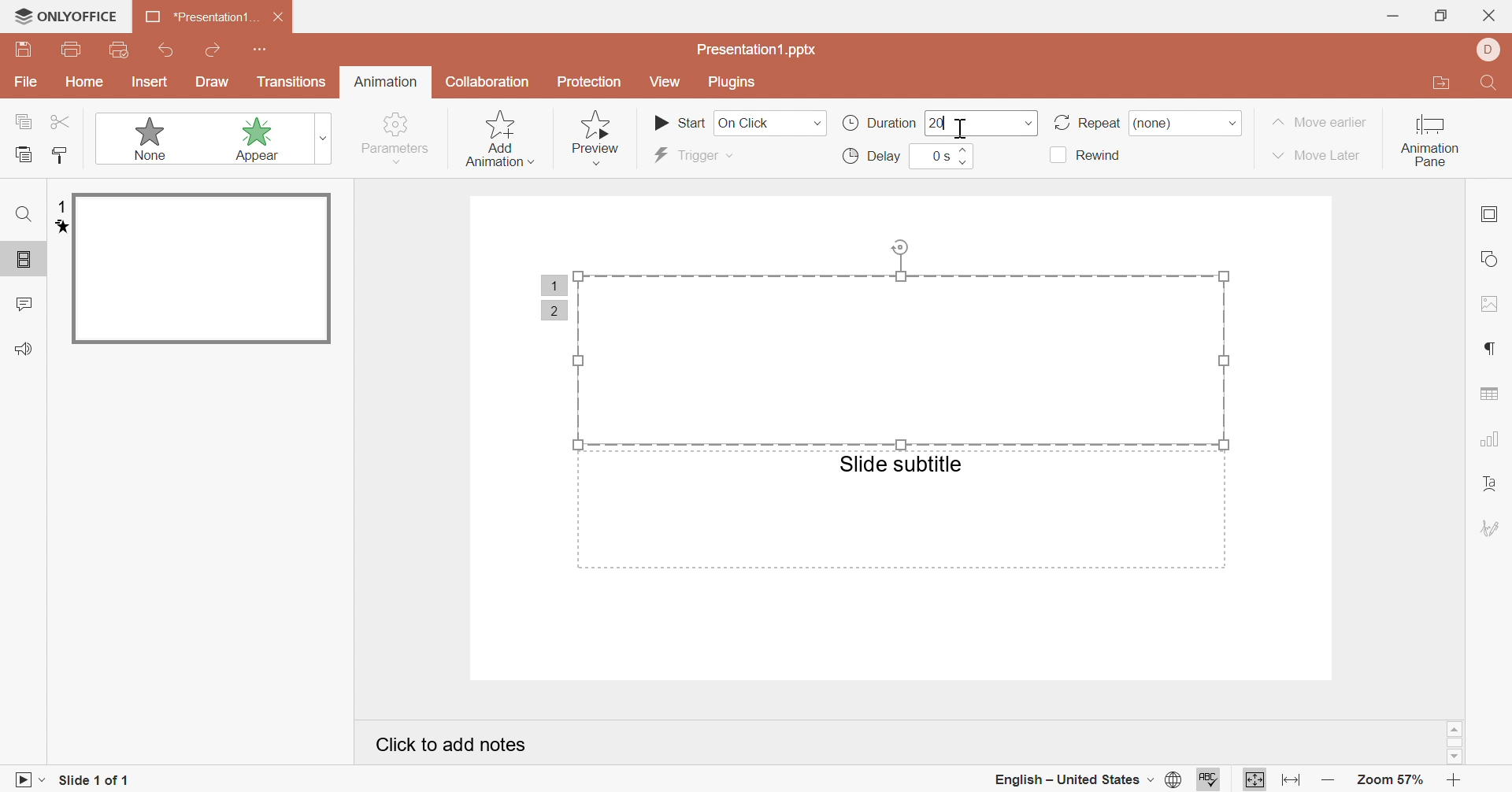  Describe the element at coordinates (1072, 781) in the screenshot. I see `english - united states` at that location.